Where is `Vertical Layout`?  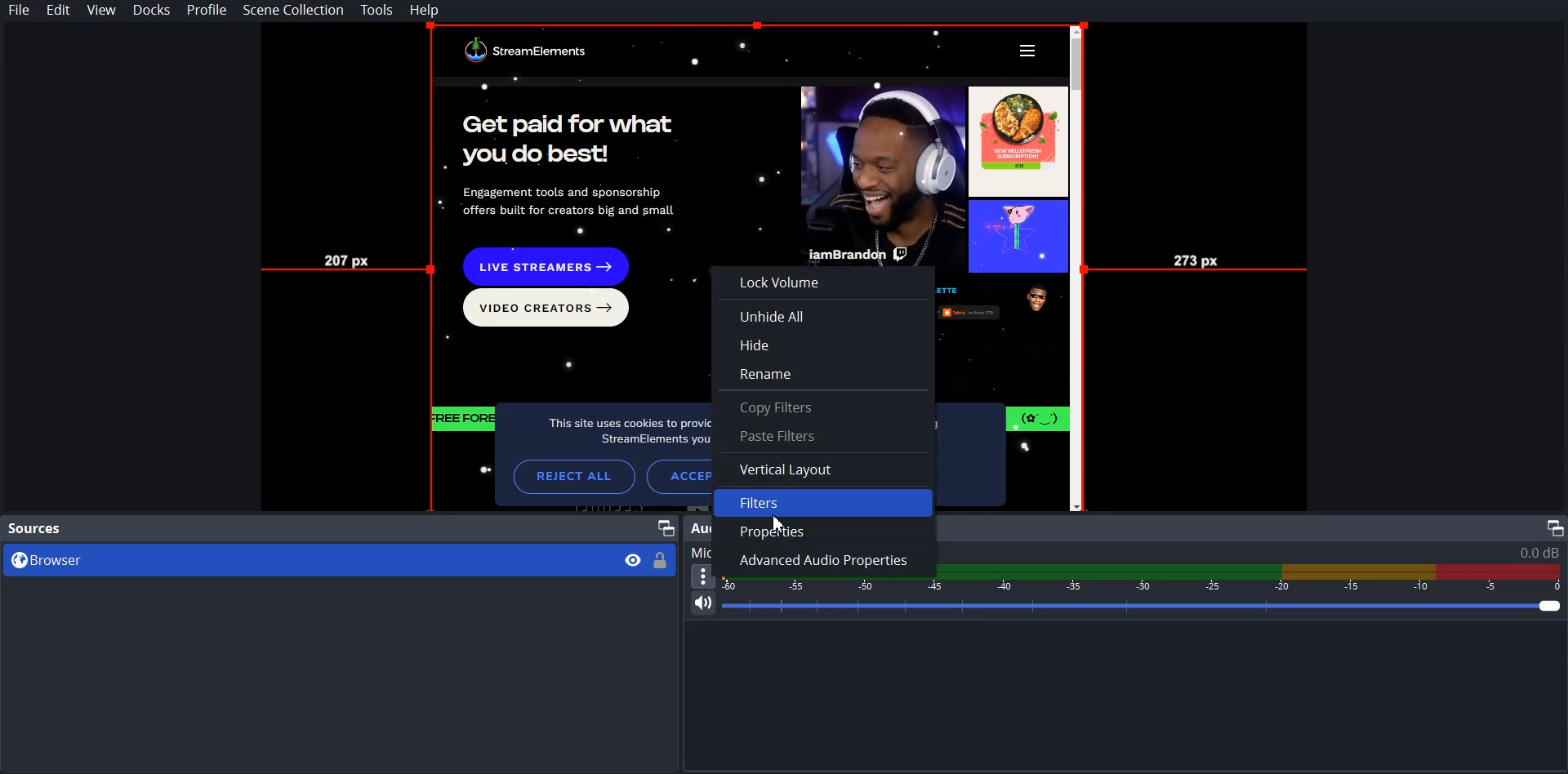 Vertical Layout is located at coordinates (826, 469).